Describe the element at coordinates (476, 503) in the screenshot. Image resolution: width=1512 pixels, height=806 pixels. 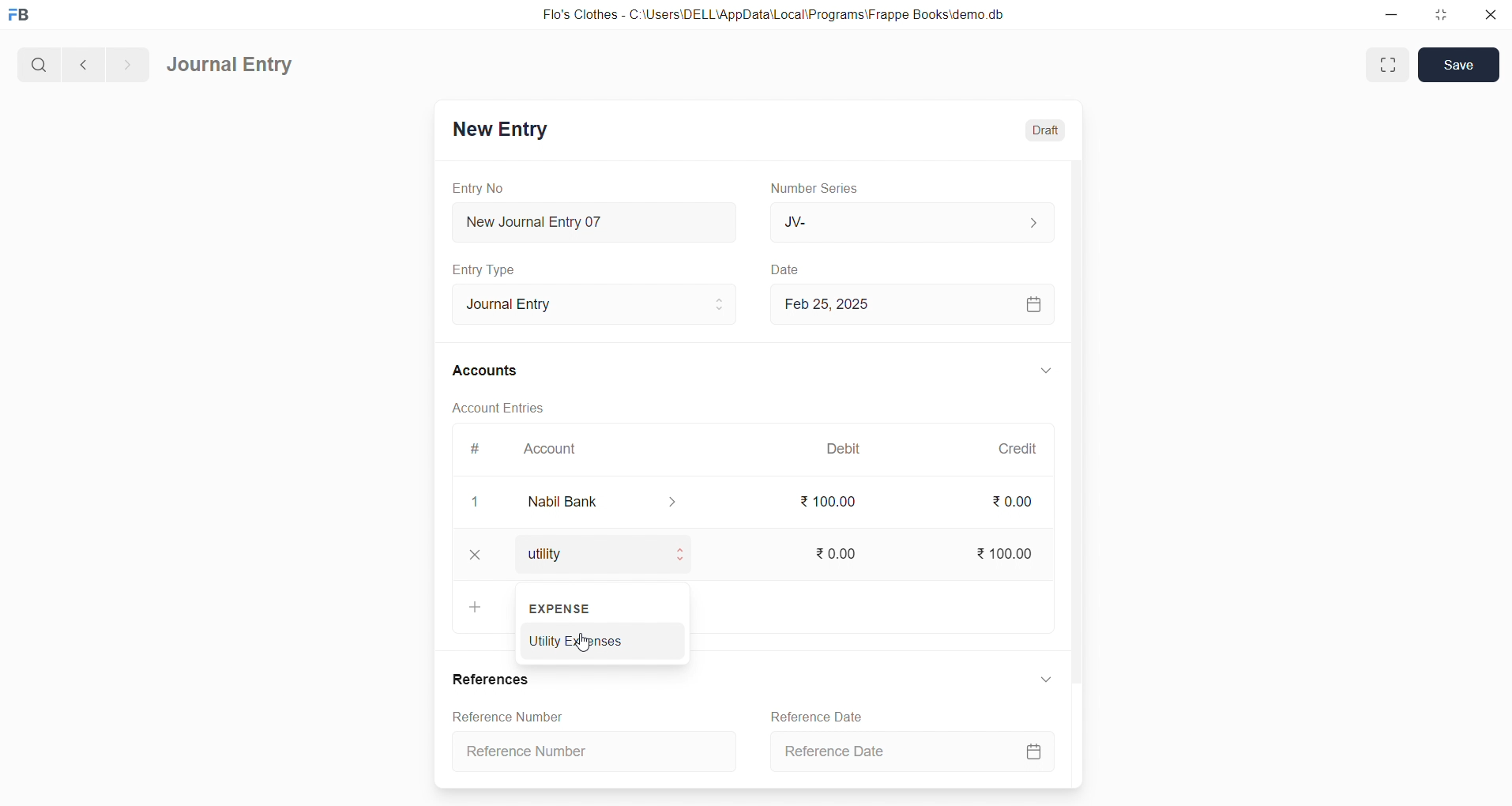
I see `closee` at that location.